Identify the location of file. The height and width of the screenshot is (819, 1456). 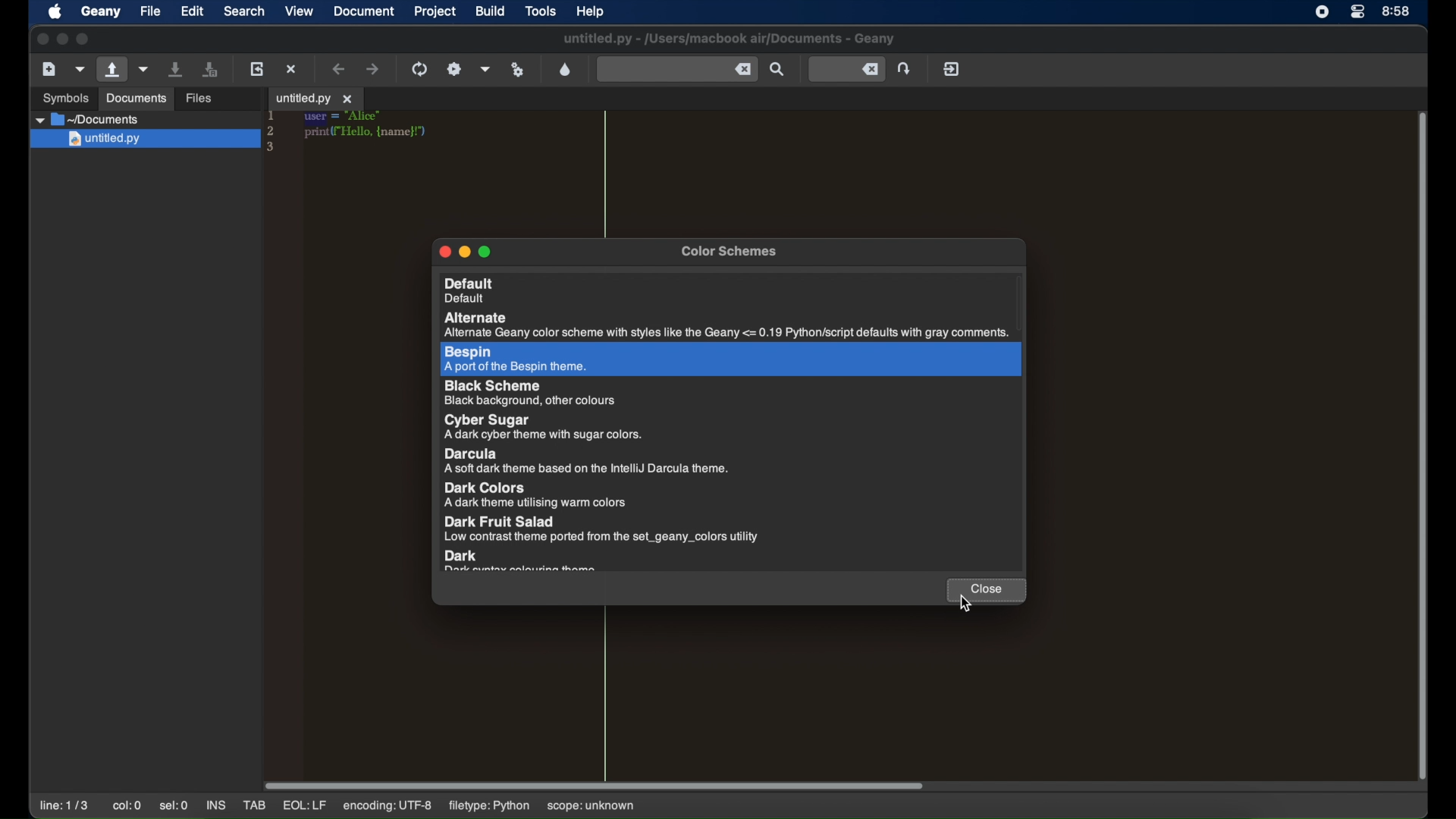
(149, 11).